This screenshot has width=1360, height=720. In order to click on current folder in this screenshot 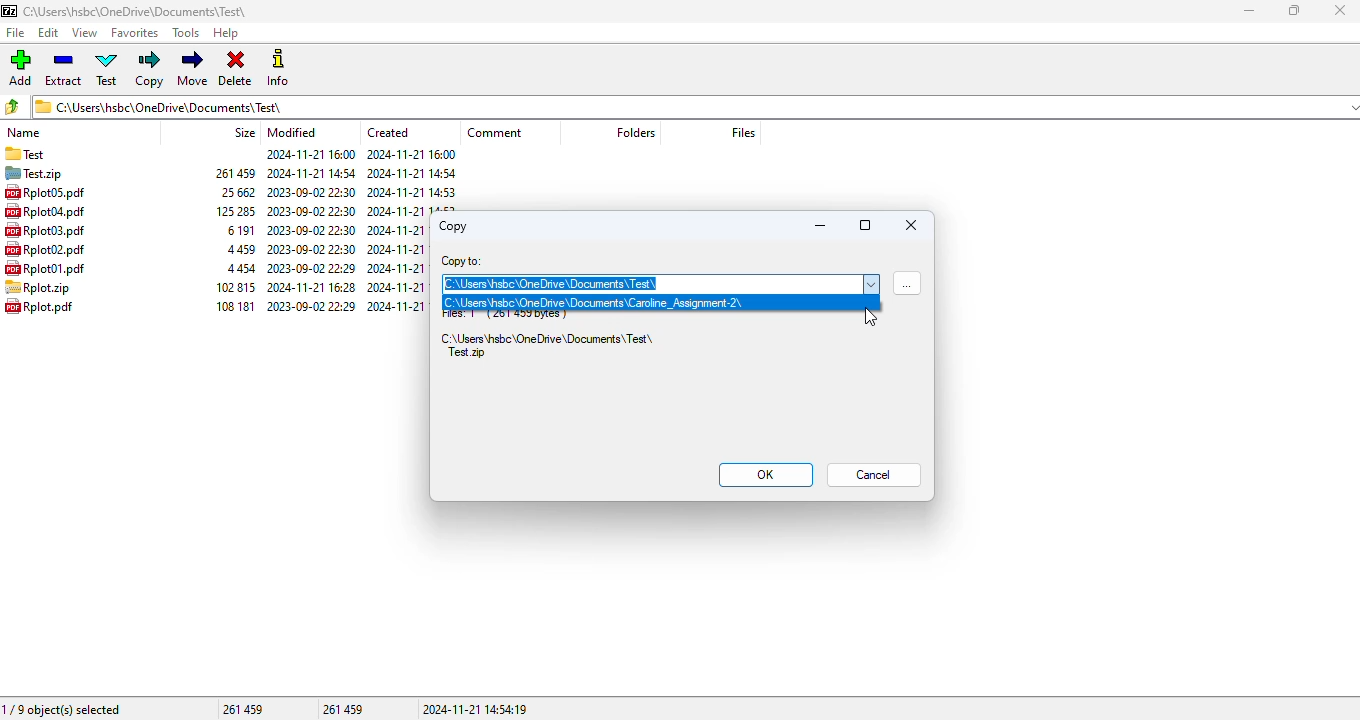, I will do `click(694, 107)`.